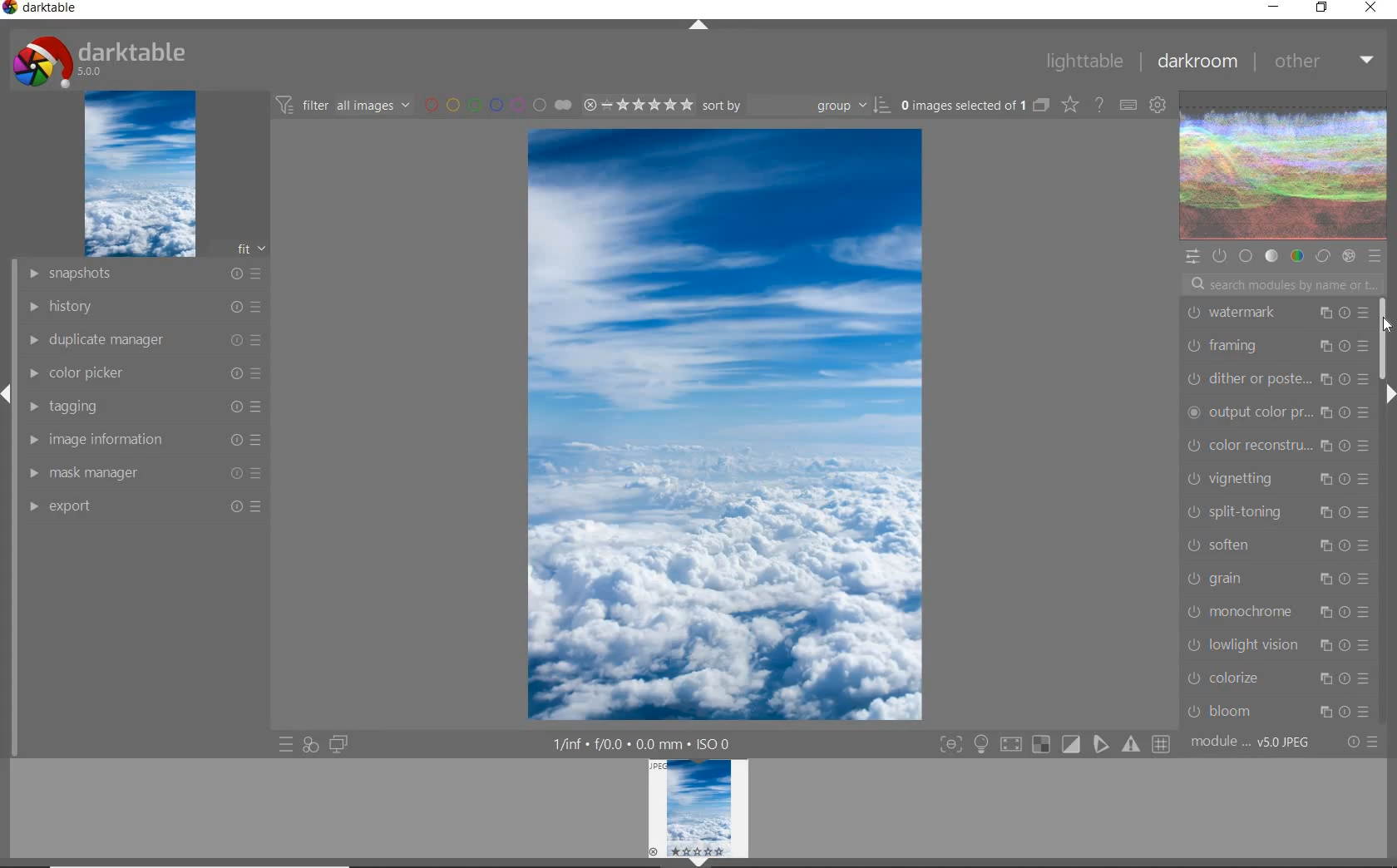 The image size is (1397, 868). I want to click on COLOR, so click(1296, 257).